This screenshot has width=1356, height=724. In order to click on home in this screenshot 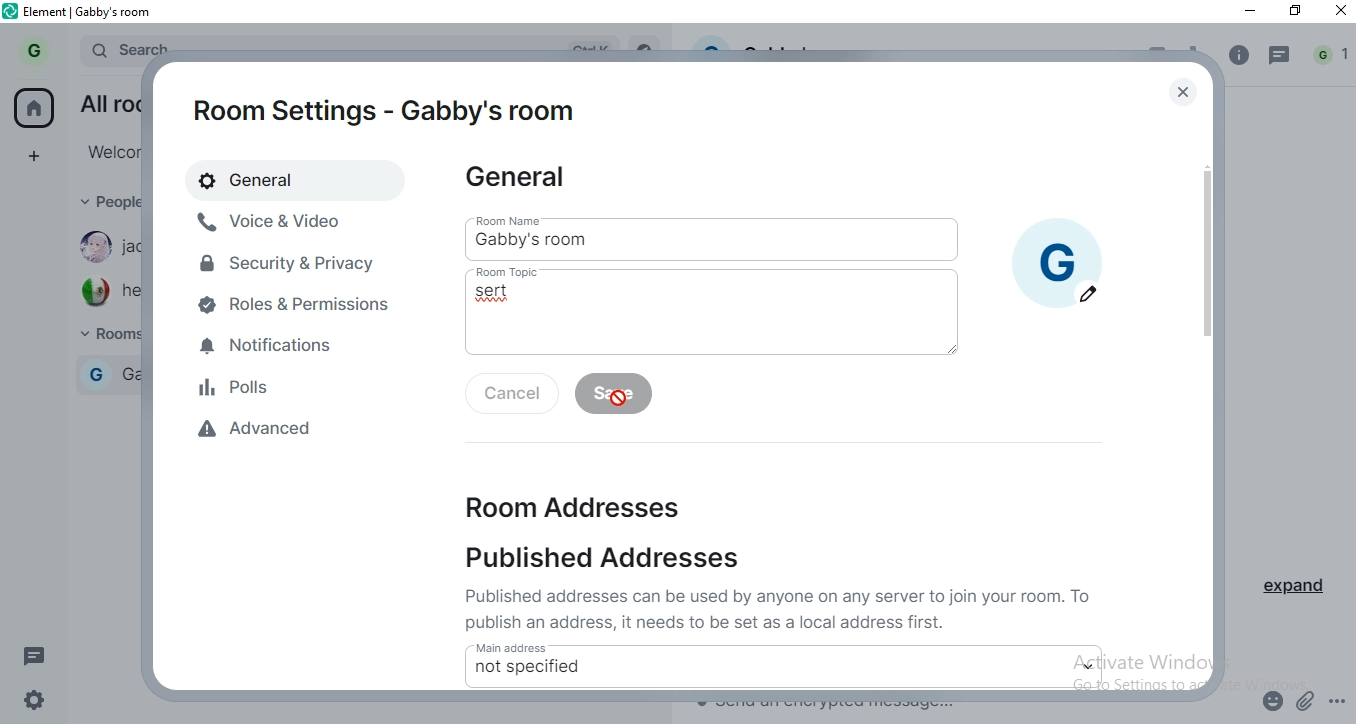, I will do `click(35, 107)`.